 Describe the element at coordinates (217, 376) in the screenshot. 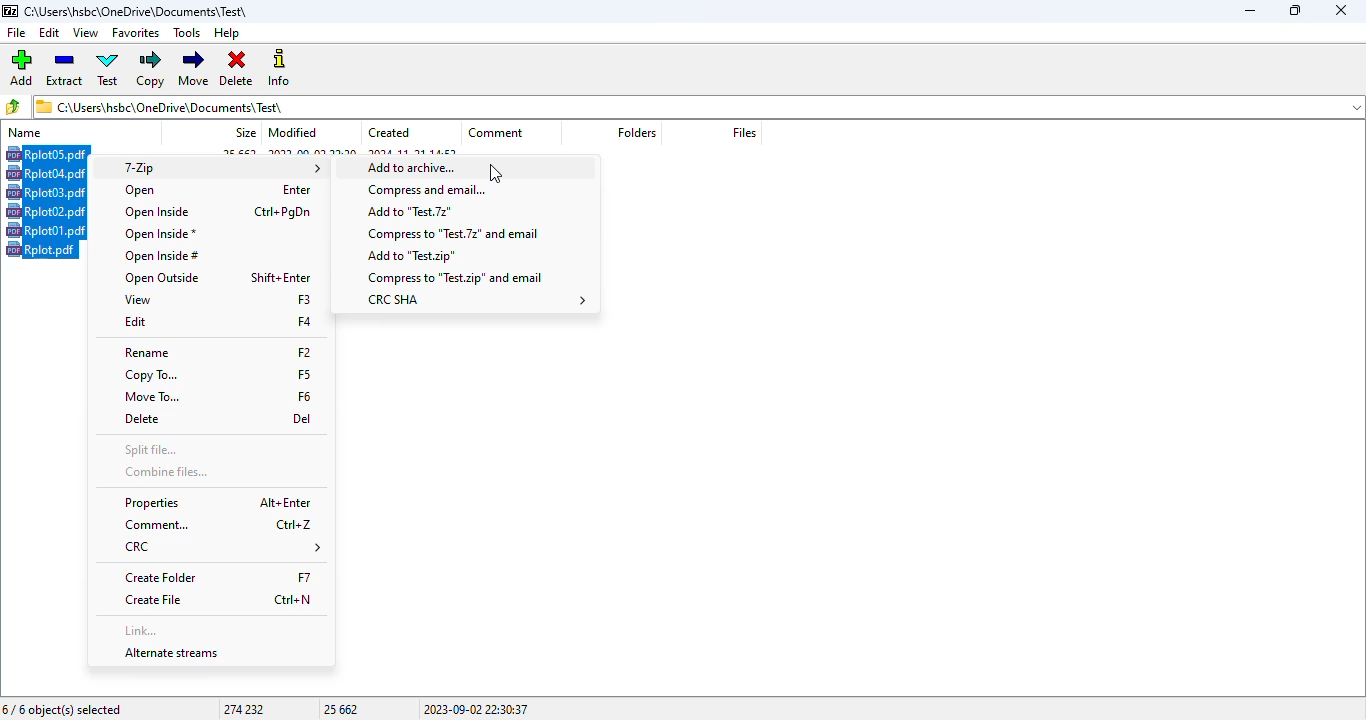

I see `copy to ` at that location.